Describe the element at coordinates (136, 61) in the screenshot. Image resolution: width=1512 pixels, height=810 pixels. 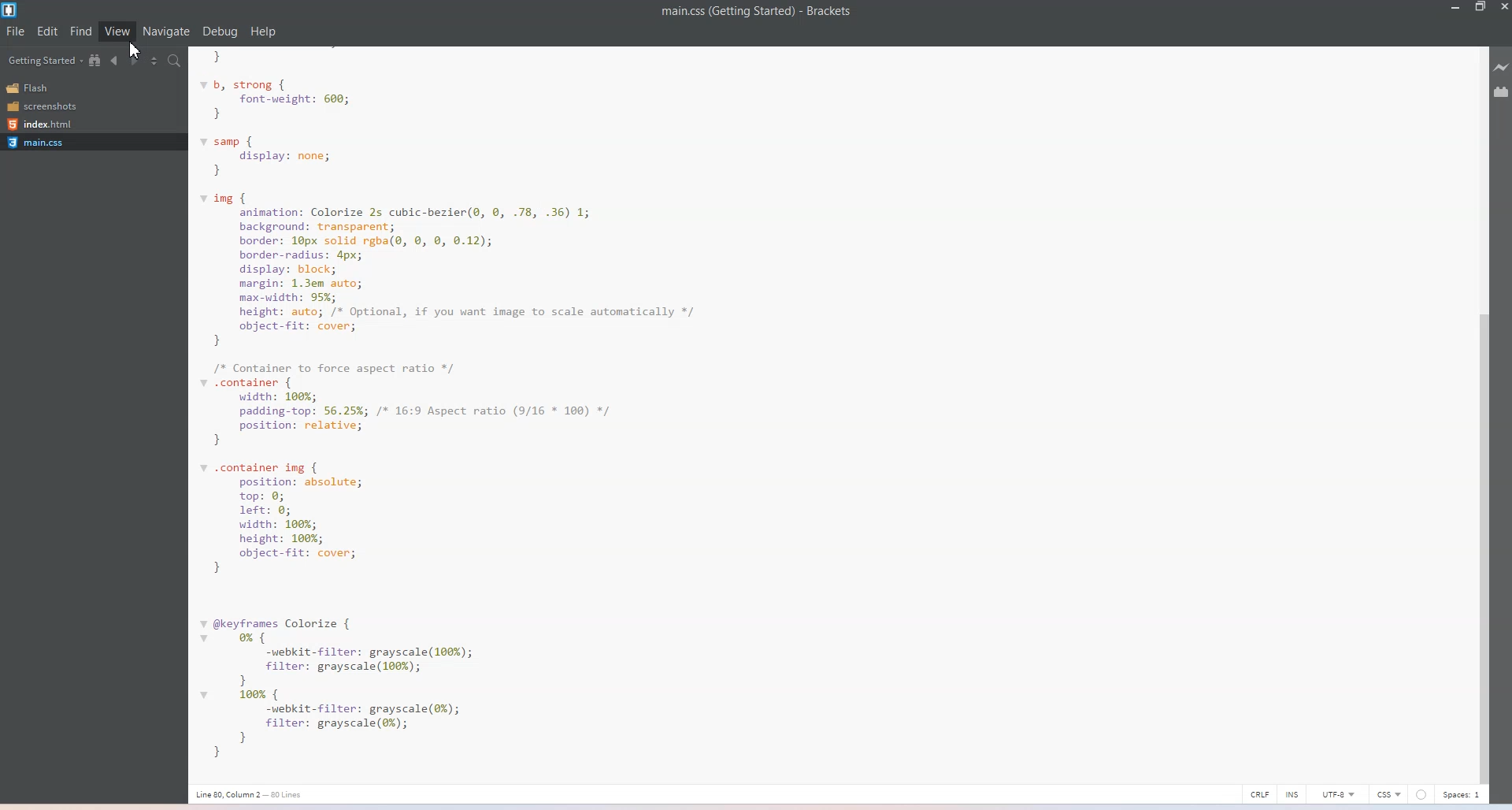
I see `Navigate Forwards` at that location.